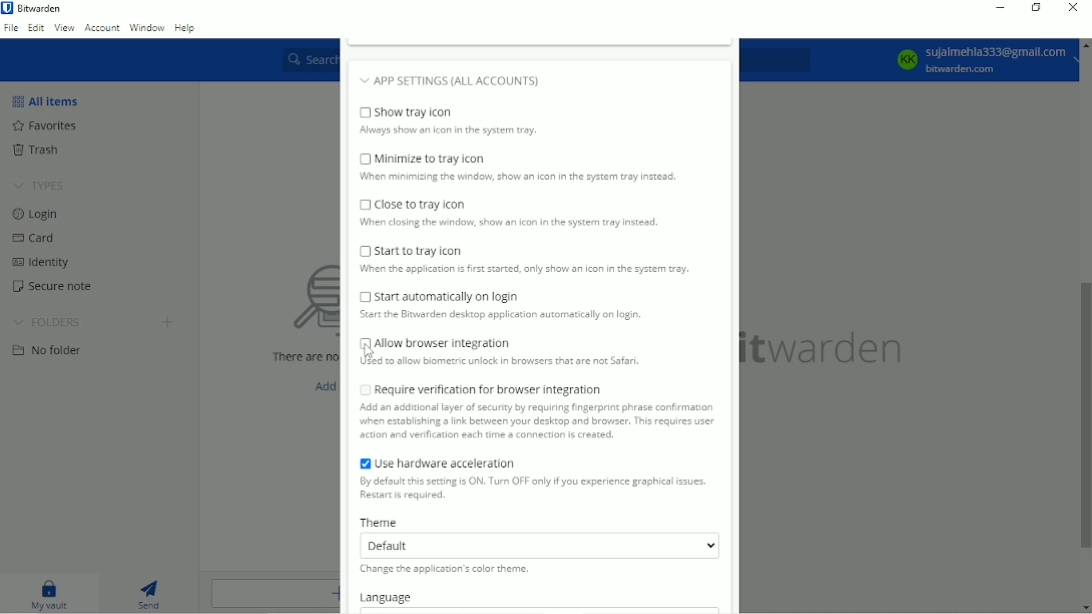 The width and height of the screenshot is (1092, 614). I want to click on Favorites, so click(44, 125).